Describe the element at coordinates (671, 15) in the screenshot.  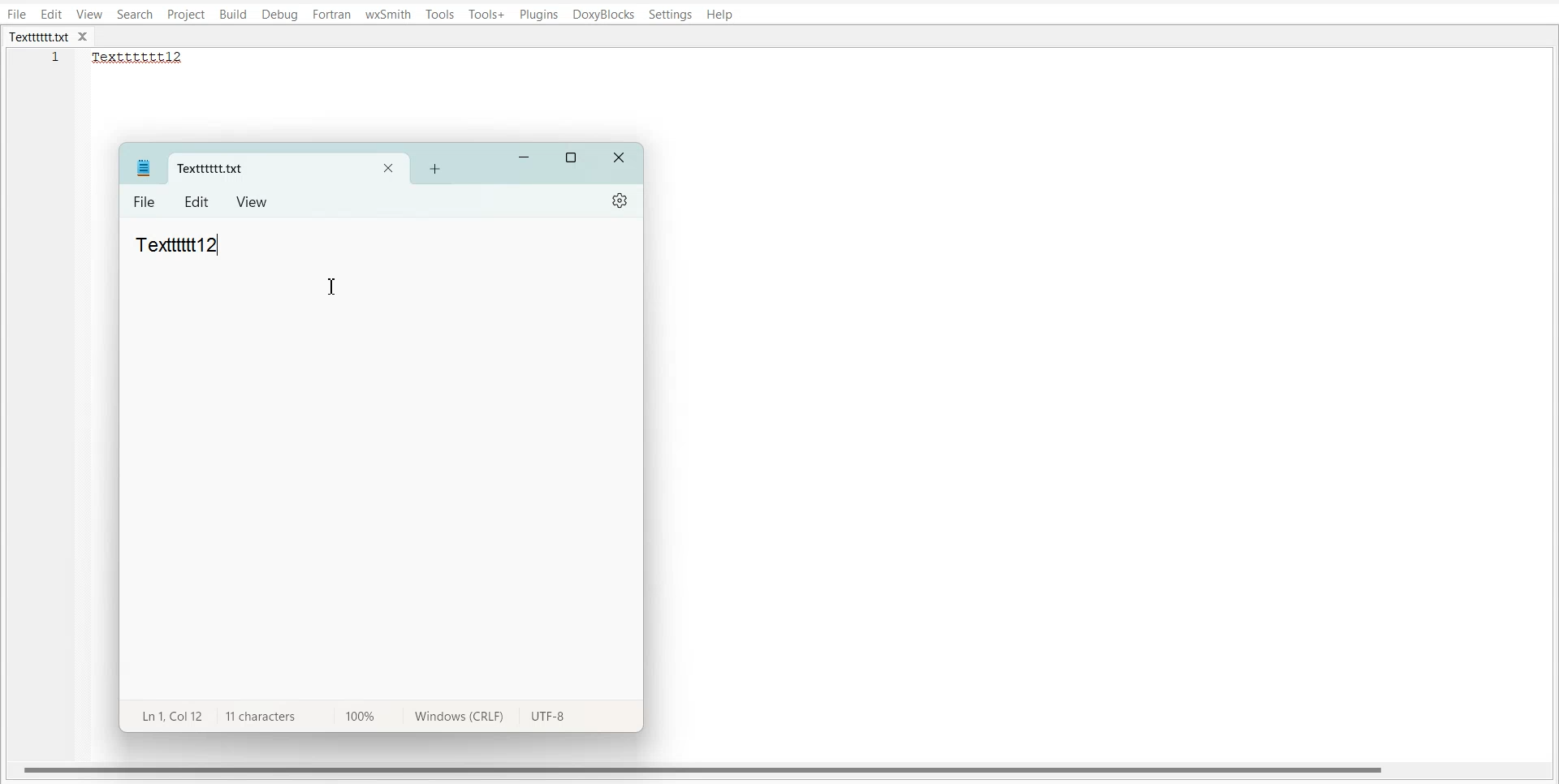
I see `Settings` at that location.